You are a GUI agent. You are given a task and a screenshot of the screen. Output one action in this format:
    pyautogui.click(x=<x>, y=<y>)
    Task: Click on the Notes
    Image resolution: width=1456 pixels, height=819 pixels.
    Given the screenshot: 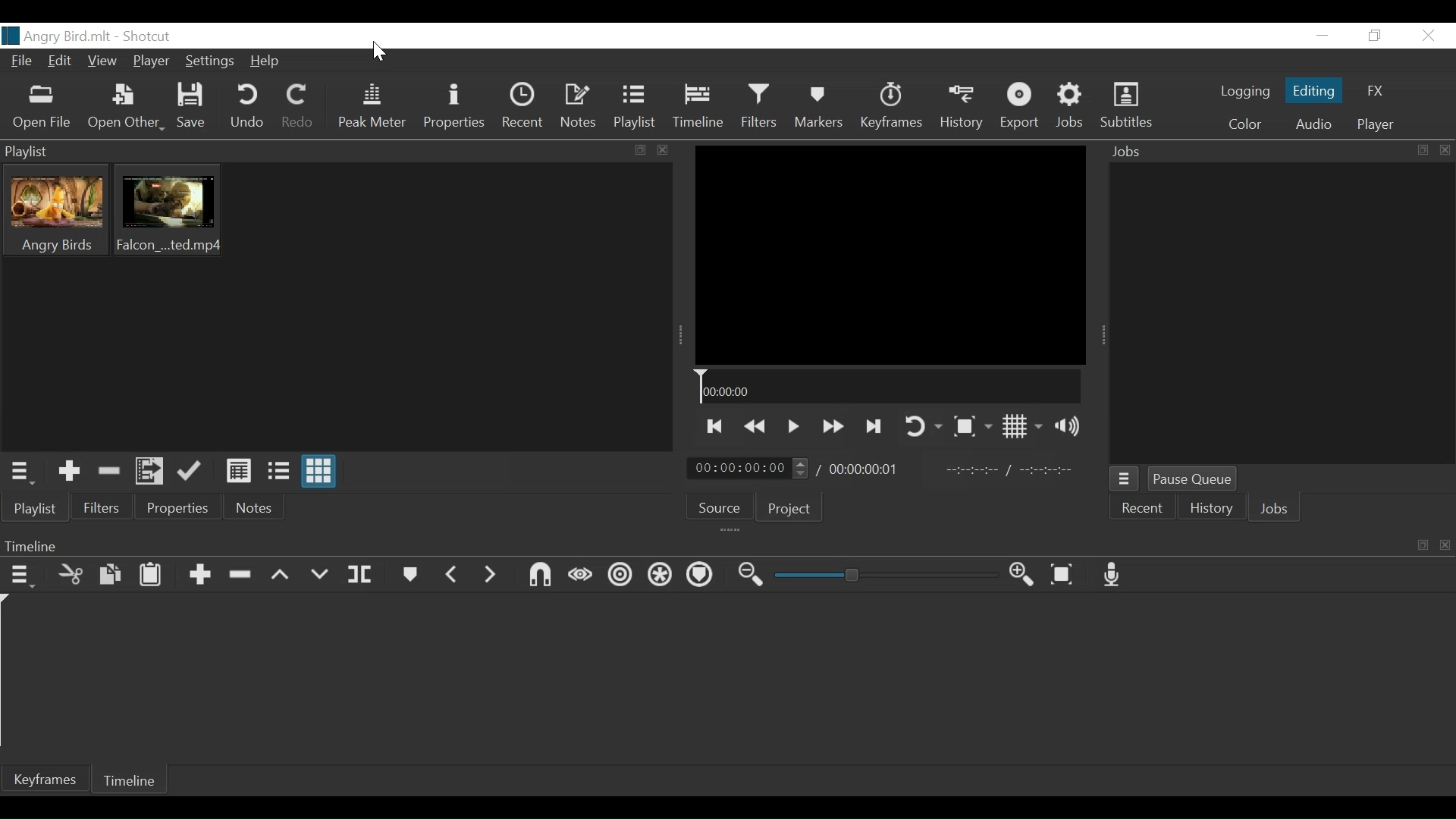 What is the action you would take?
    pyautogui.click(x=254, y=509)
    